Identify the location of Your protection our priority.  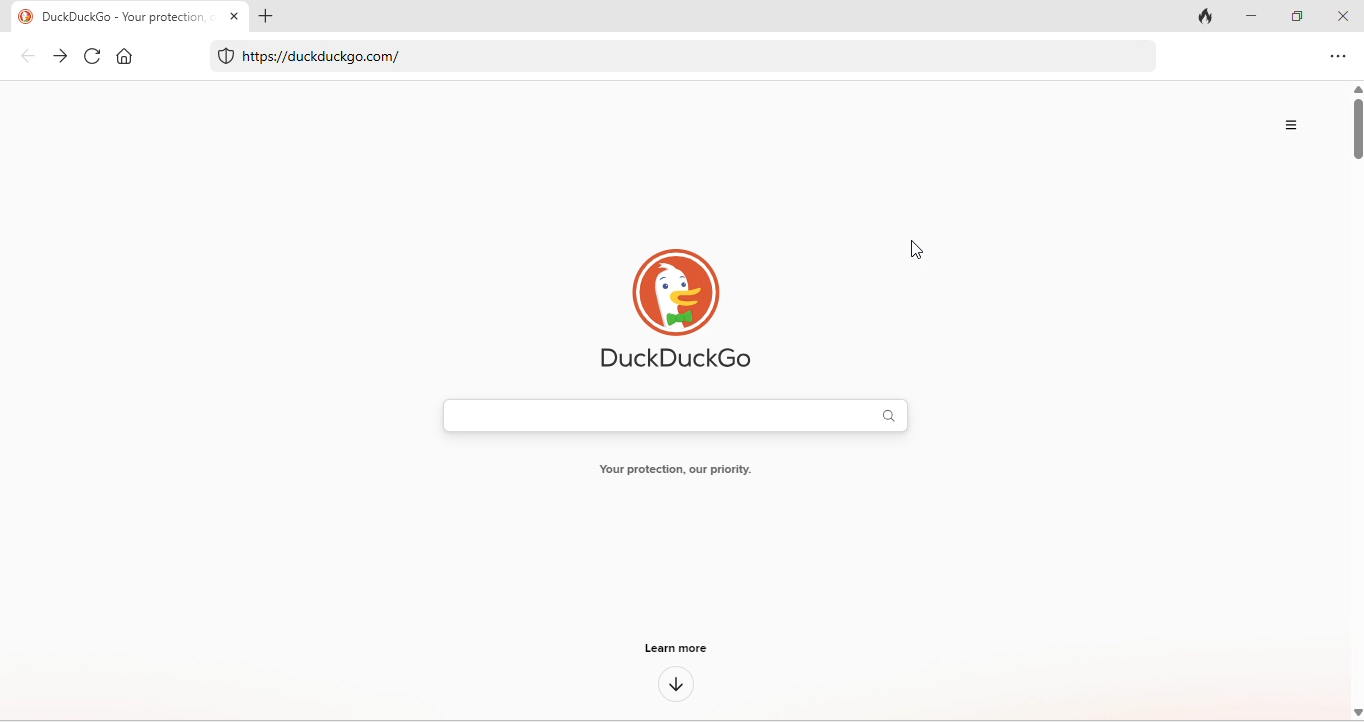
(682, 470).